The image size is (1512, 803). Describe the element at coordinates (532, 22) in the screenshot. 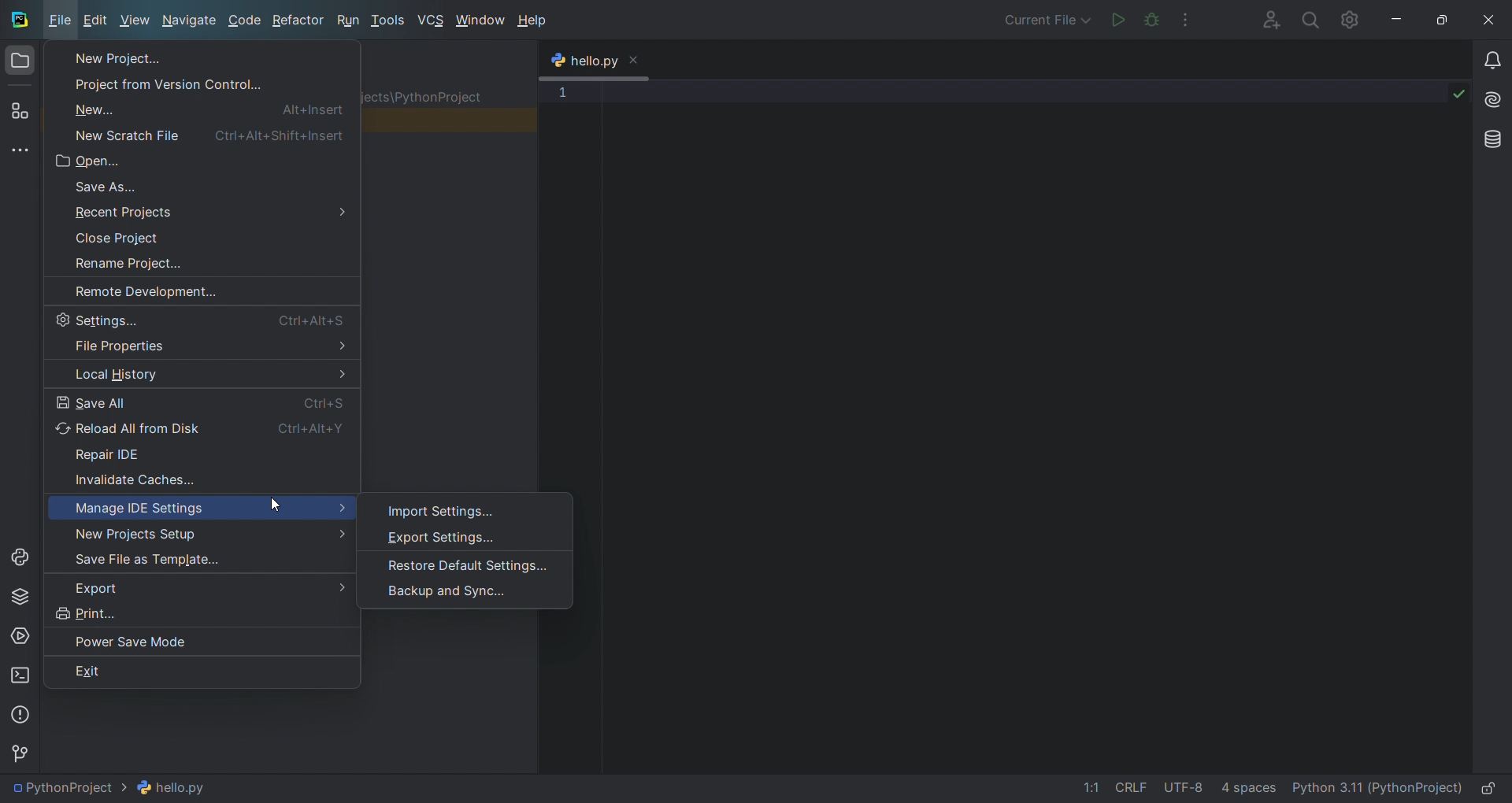

I see `help` at that location.